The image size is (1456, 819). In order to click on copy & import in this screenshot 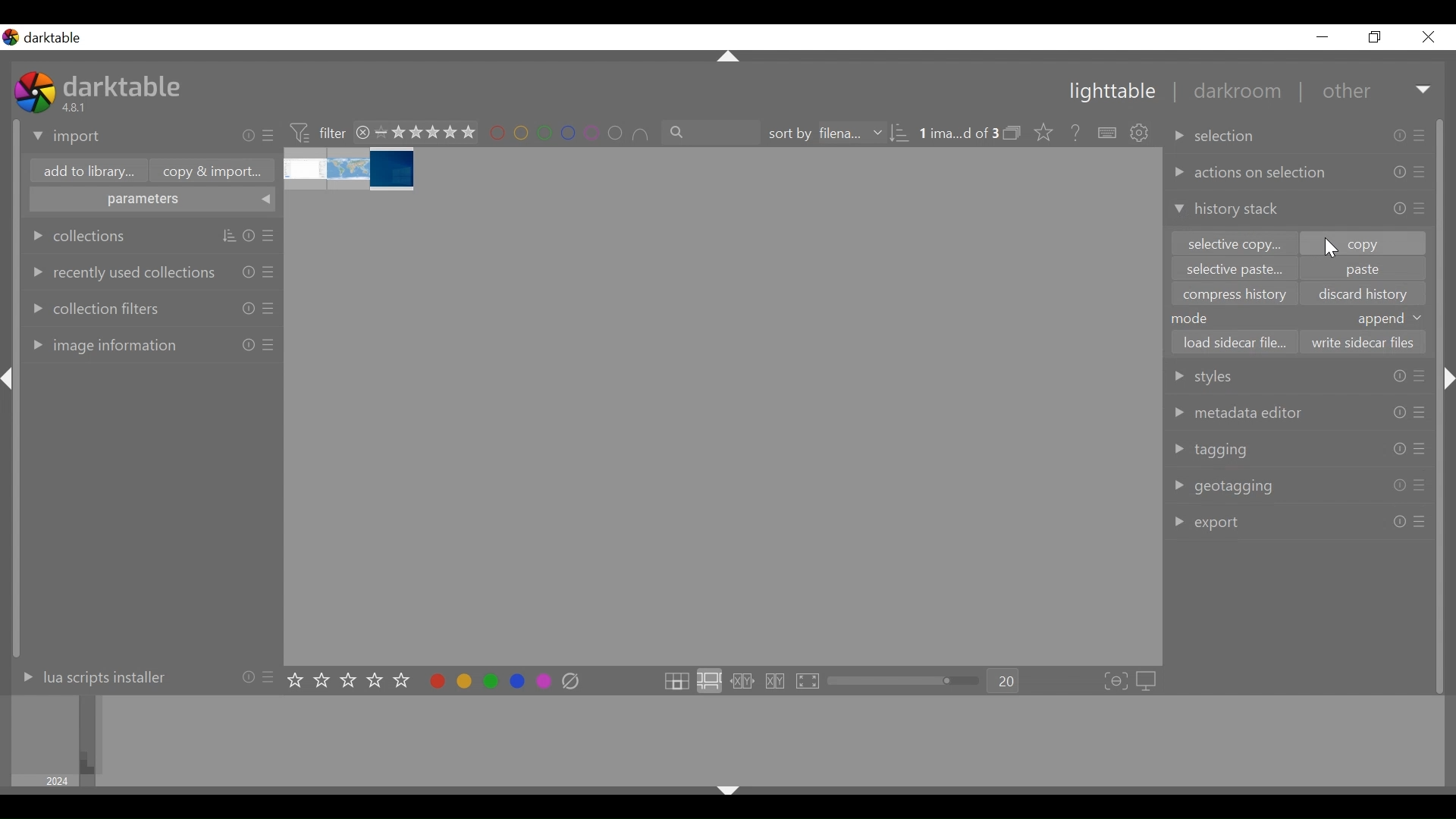, I will do `click(208, 171)`.